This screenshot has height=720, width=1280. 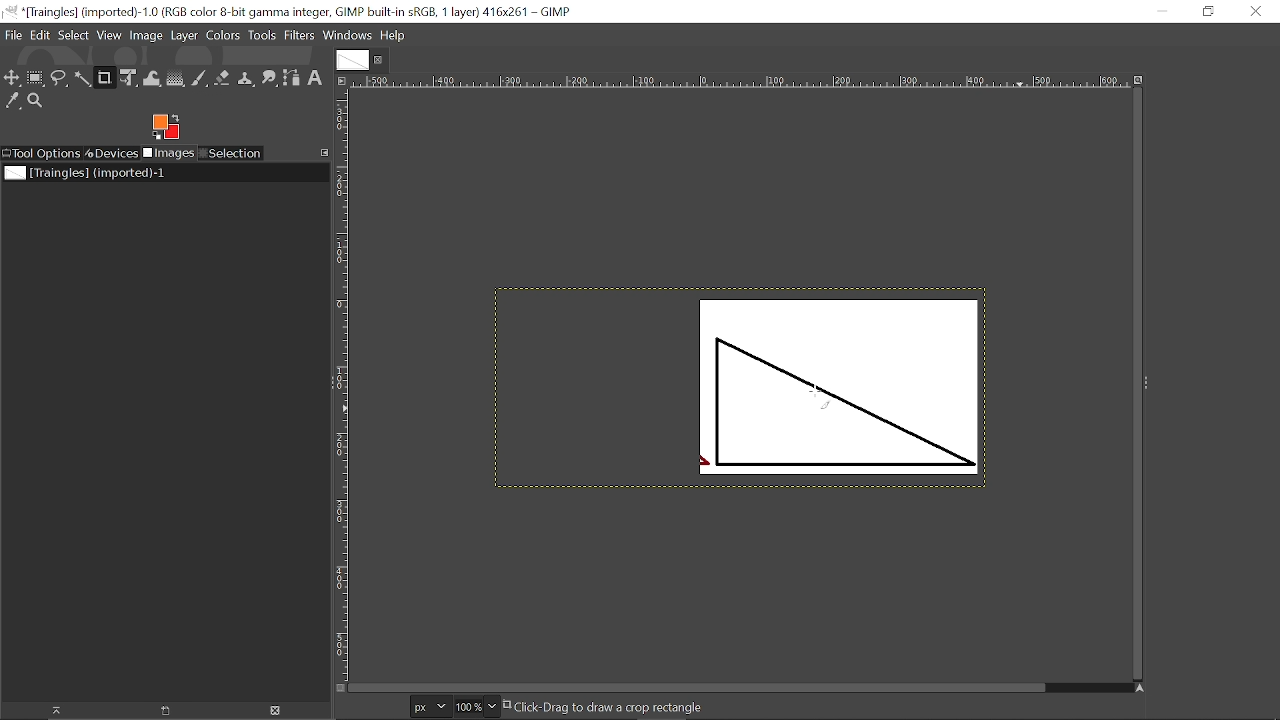 I want to click on Tools, so click(x=262, y=36).